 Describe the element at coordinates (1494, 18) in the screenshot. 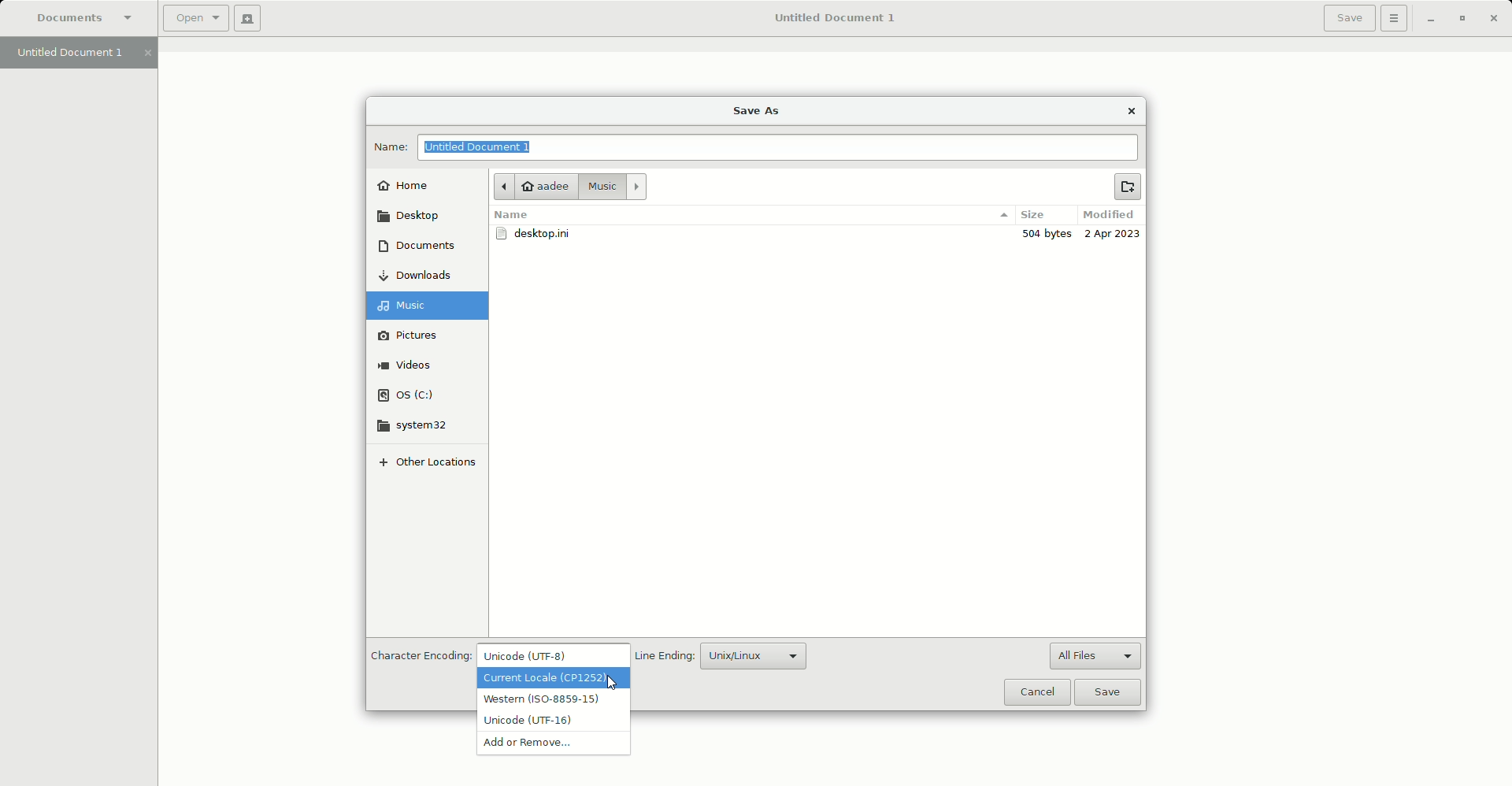

I see `Close` at that location.